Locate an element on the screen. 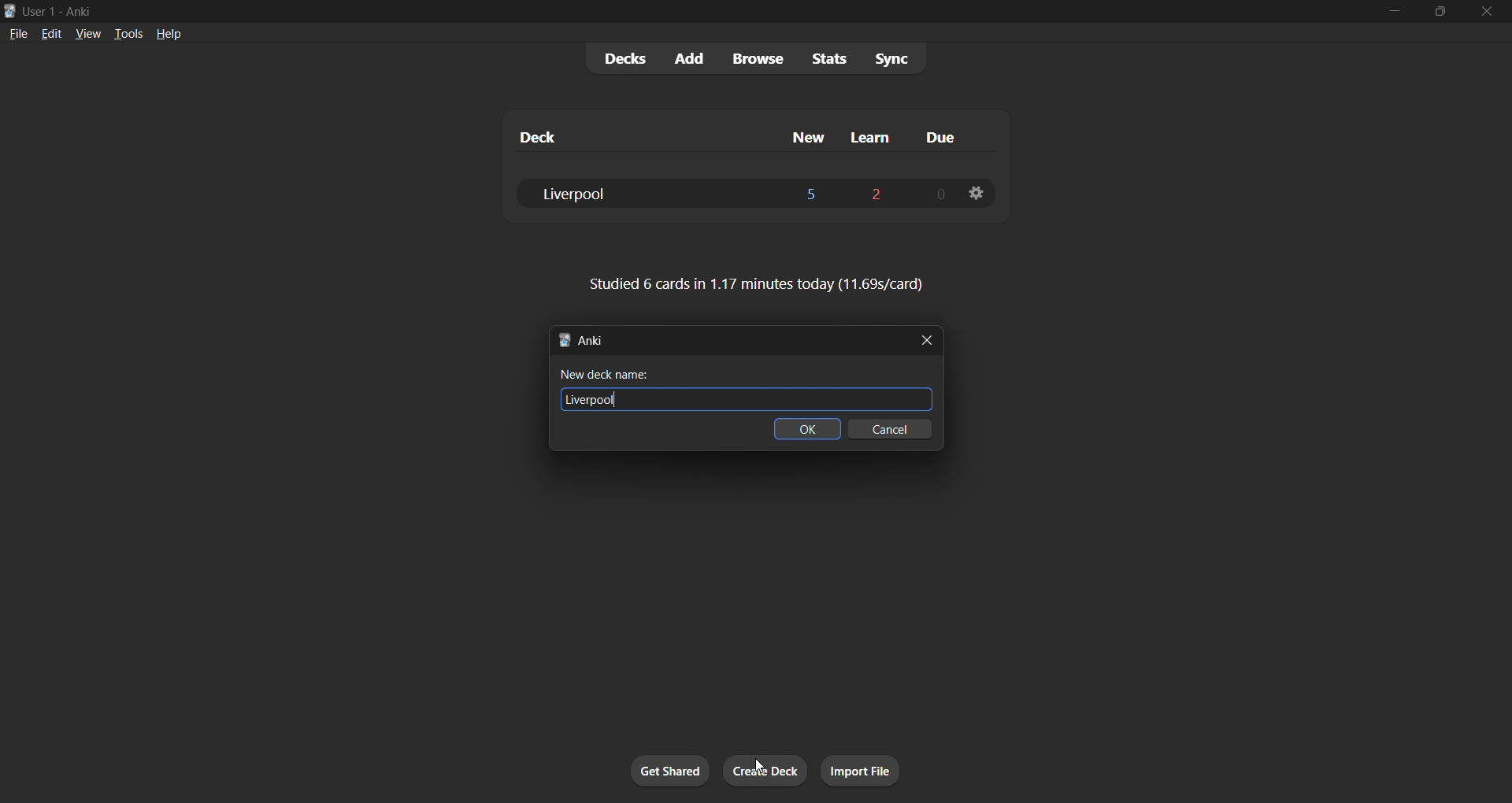  new cards column is located at coordinates (807, 139).